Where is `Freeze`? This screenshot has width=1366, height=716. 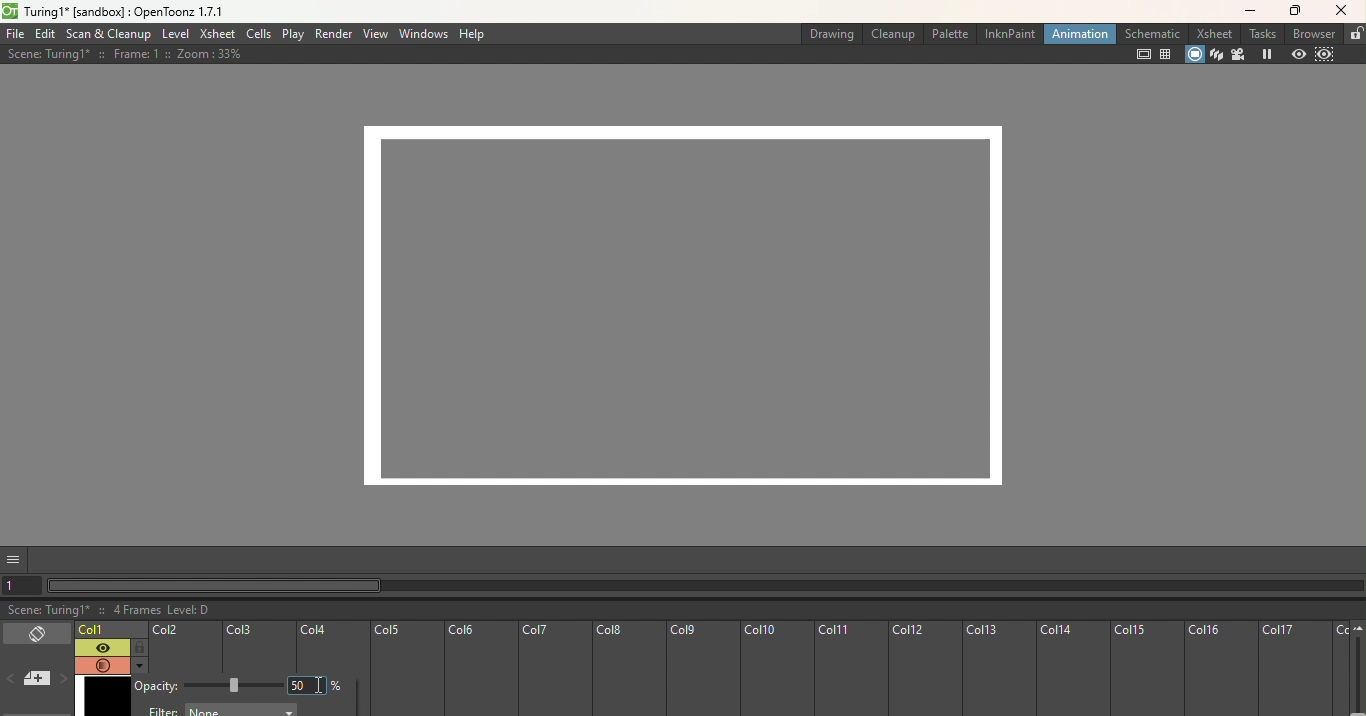 Freeze is located at coordinates (1264, 54).